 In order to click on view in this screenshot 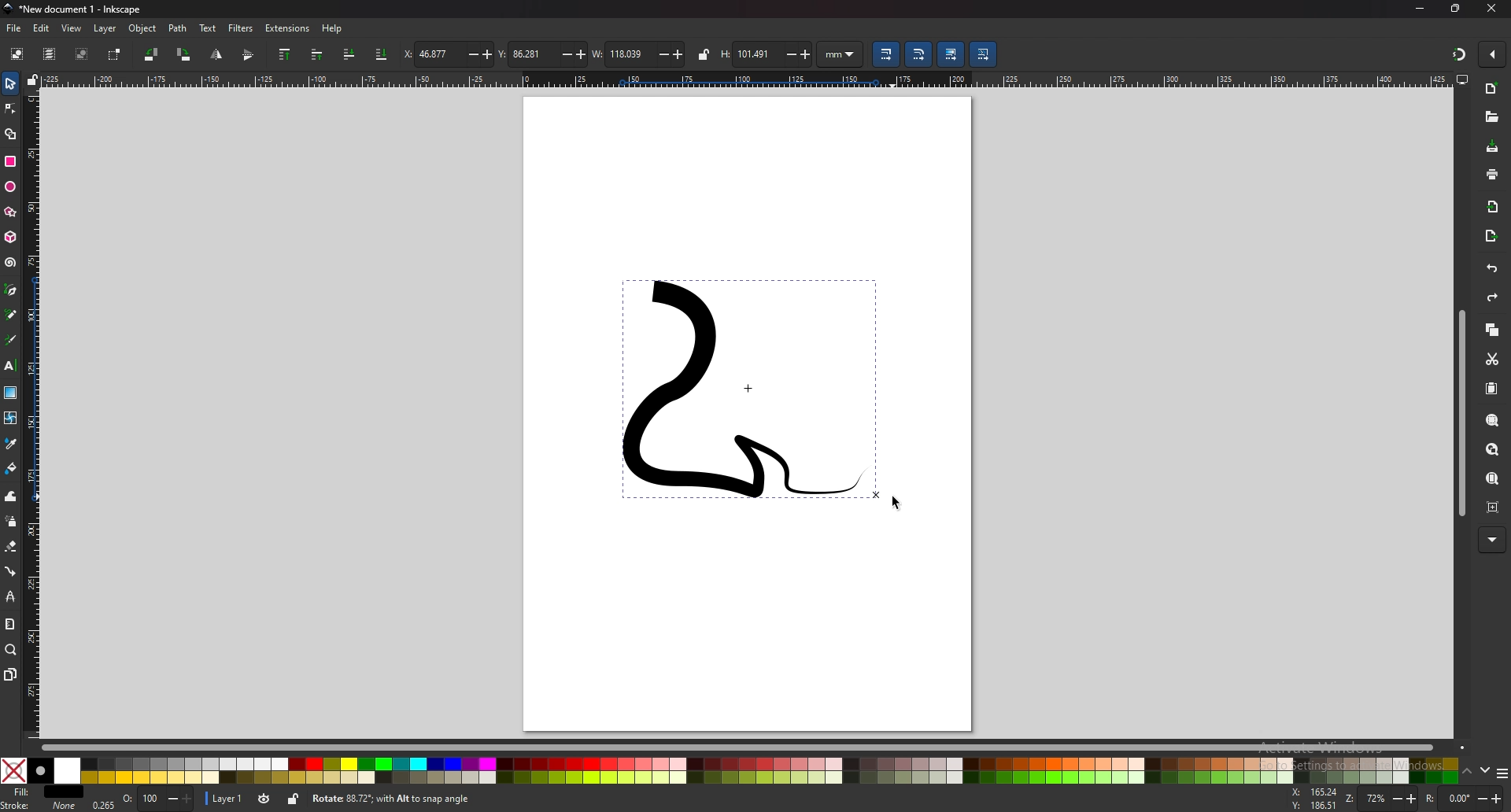, I will do `click(70, 29)`.